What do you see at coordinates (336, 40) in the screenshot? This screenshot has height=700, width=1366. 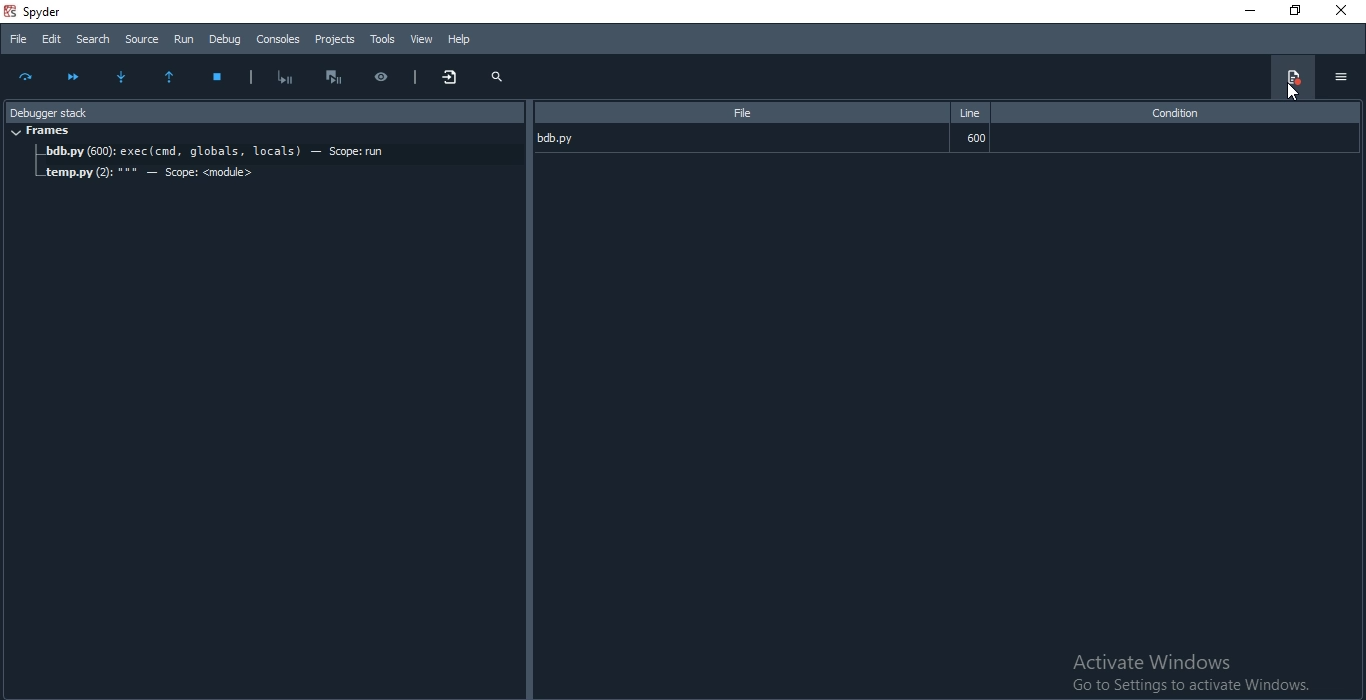 I see `Projects` at bounding box center [336, 40].